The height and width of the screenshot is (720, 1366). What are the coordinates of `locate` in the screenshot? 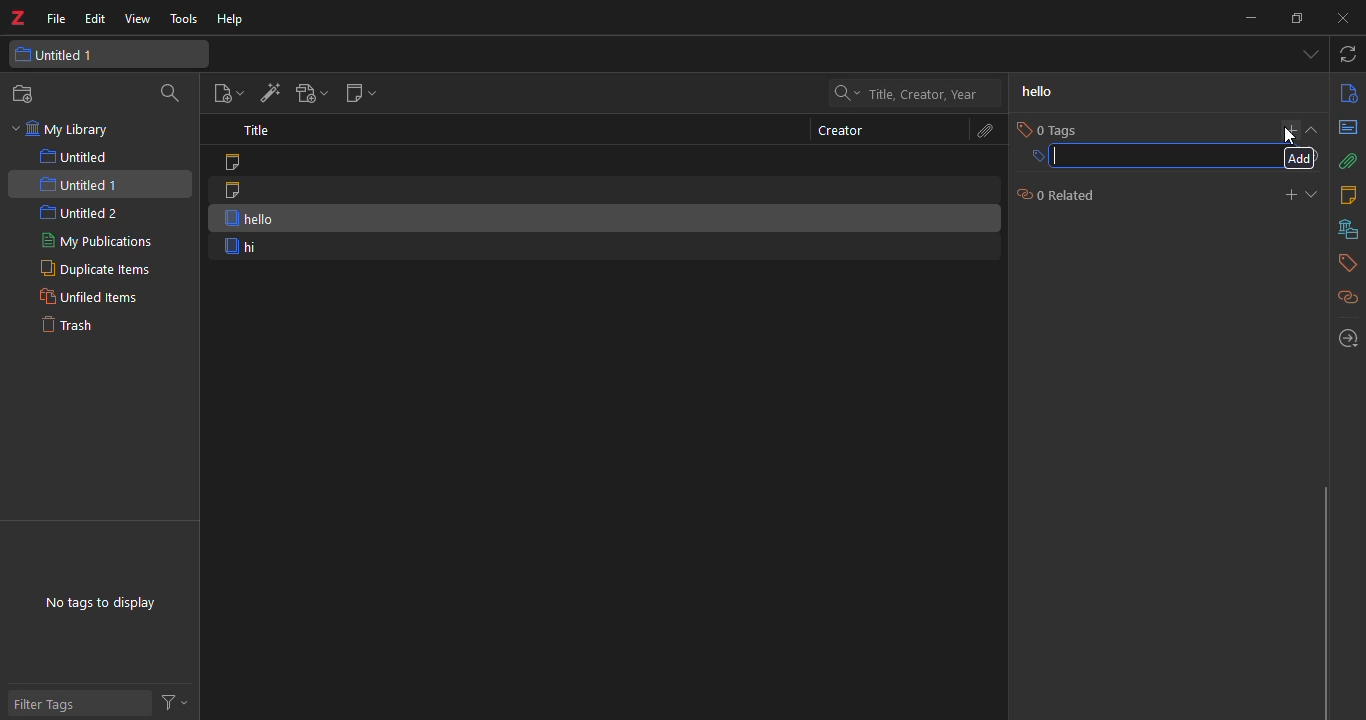 It's located at (1345, 336).